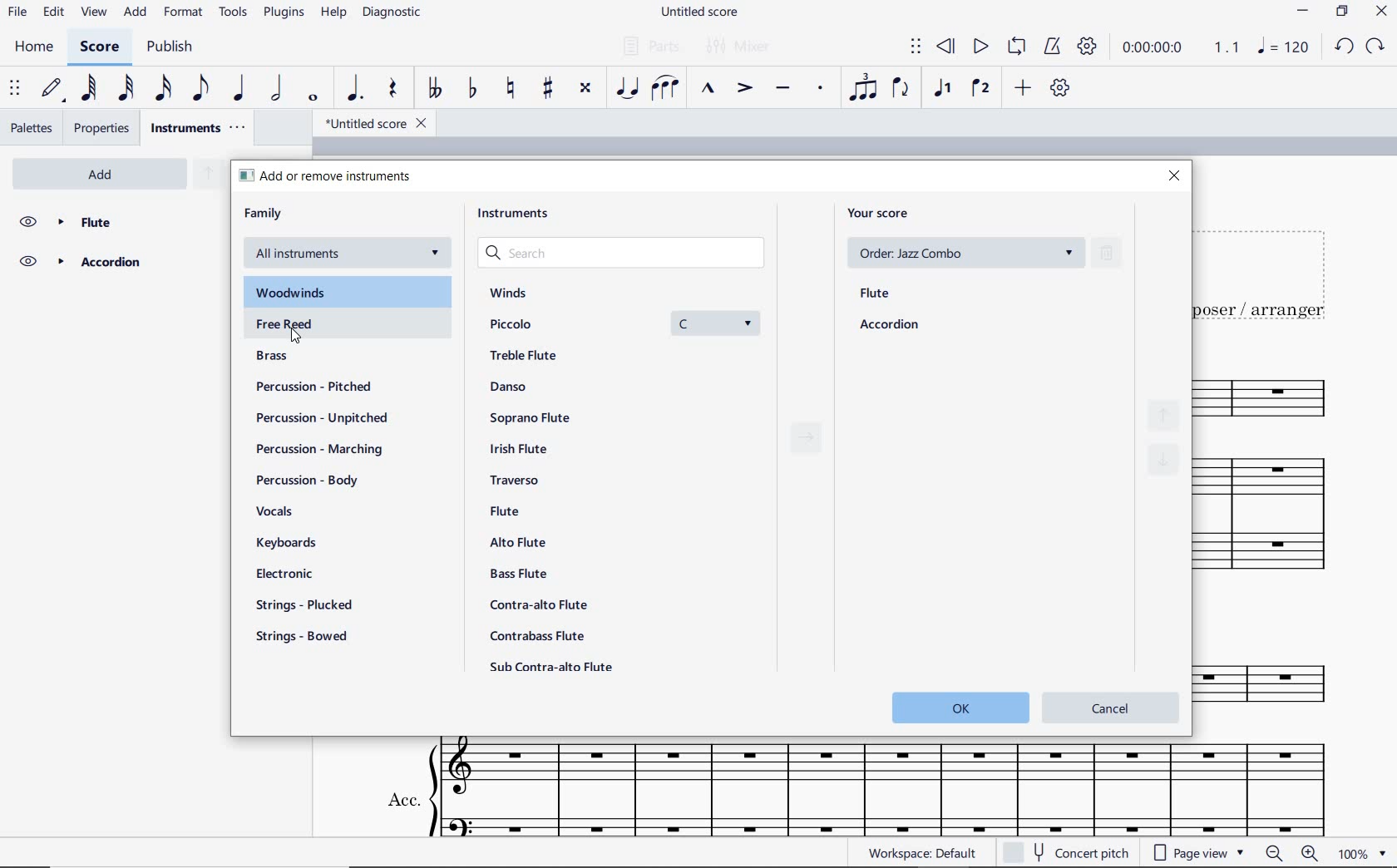 The width and height of the screenshot is (1397, 868). Describe the element at coordinates (308, 510) in the screenshot. I see `vocals` at that location.